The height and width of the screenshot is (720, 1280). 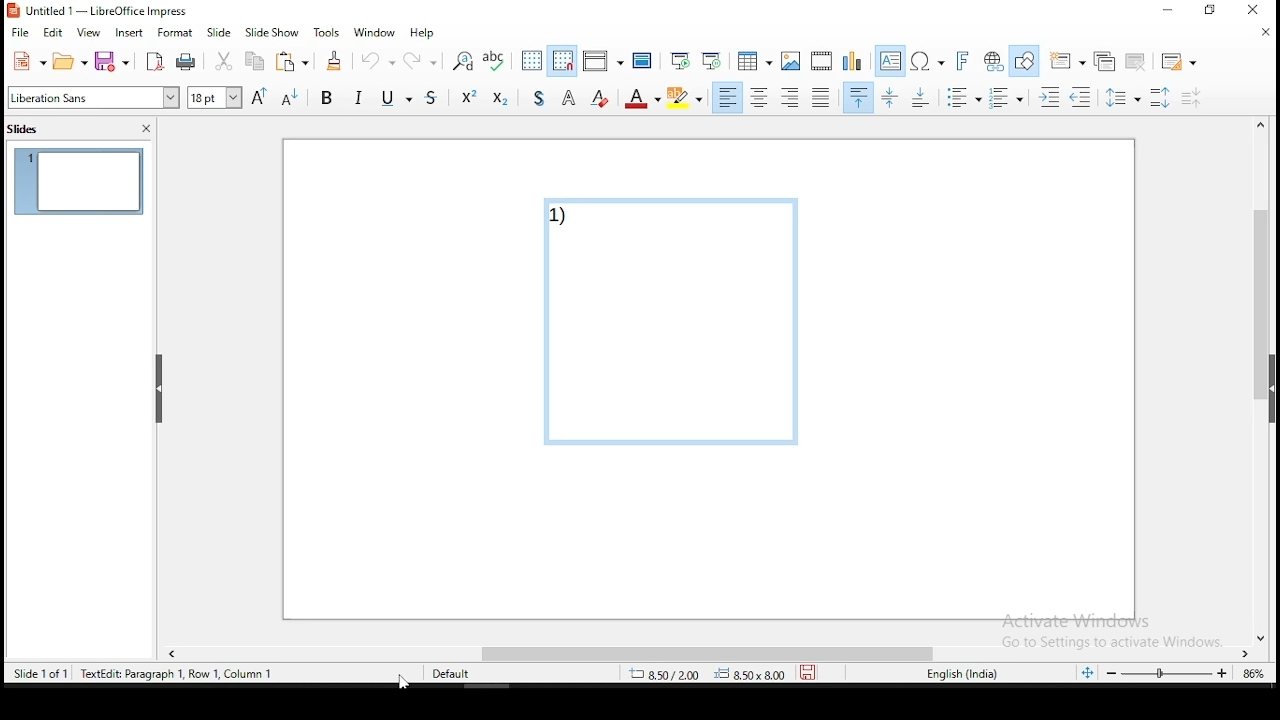 What do you see at coordinates (323, 32) in the screenshot?
I see `tools` at bounding box center [323, 32].